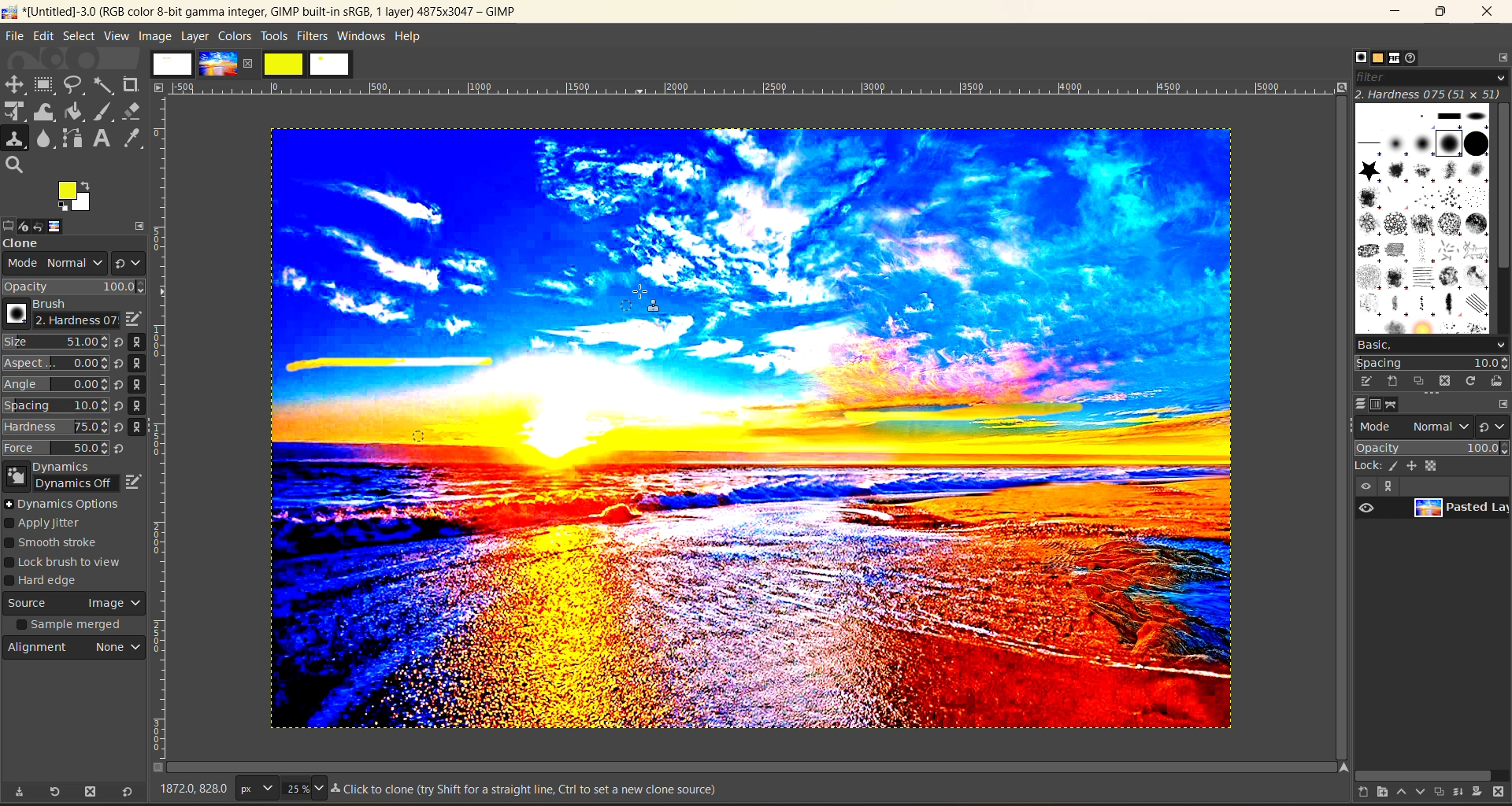 This screenshot has height=806, width=1512. Describe the element at coordinates (1414, 465) in the screenshot. I see `position` at that location.